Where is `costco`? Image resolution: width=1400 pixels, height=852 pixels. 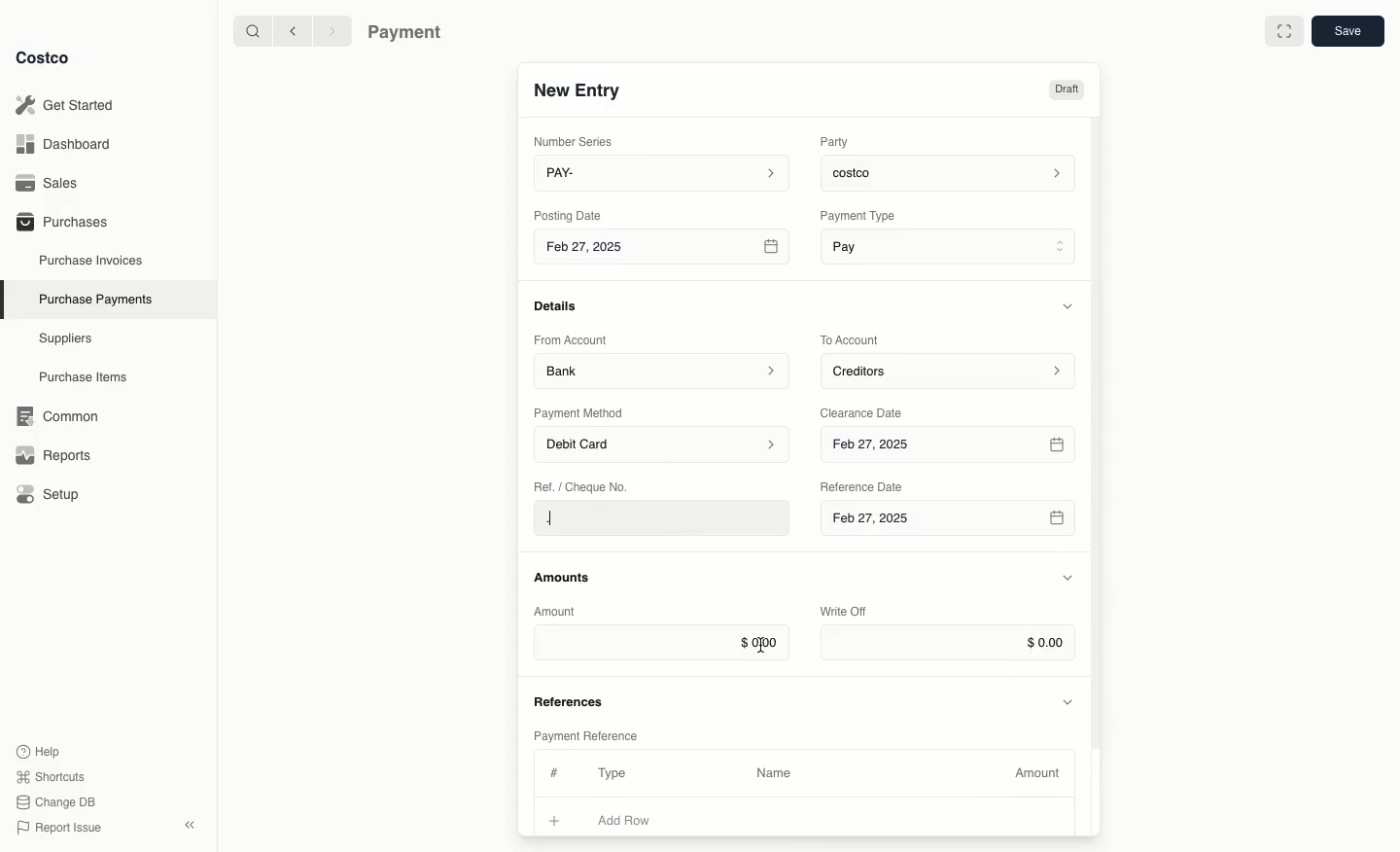 costco is located at coordinates (953, 170).